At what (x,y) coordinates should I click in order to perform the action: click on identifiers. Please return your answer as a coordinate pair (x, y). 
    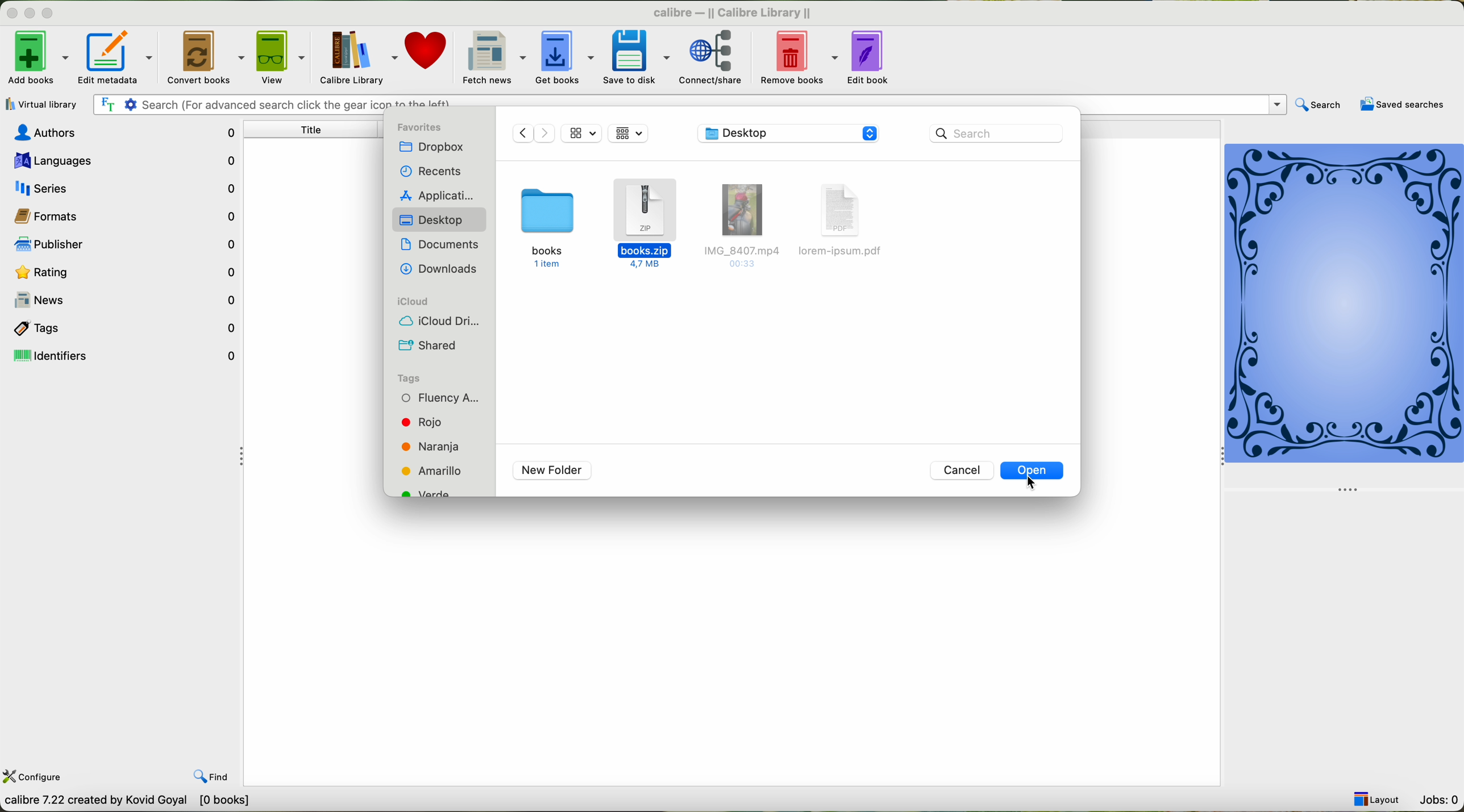
    Looking at the image, I should click on (125, 357).